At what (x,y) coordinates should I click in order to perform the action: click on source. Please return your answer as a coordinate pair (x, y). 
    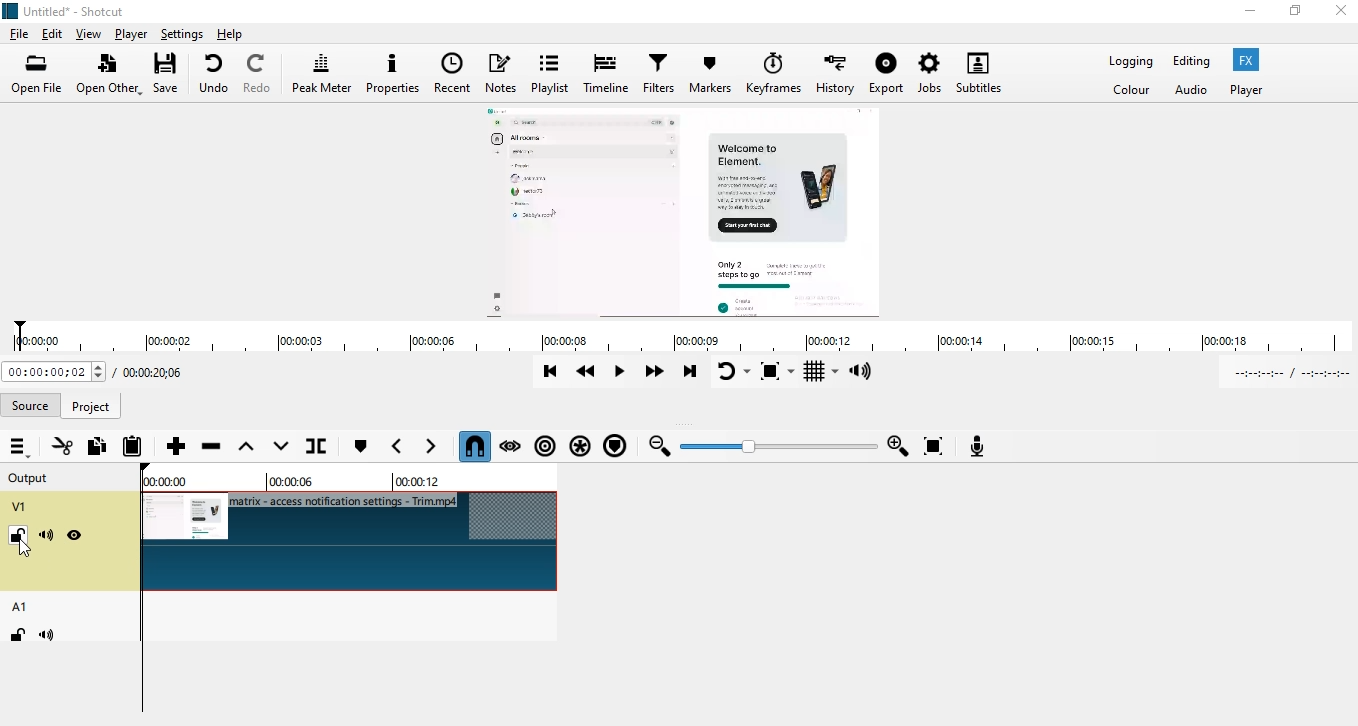
    Looking at the image, I should click on (32, 402).